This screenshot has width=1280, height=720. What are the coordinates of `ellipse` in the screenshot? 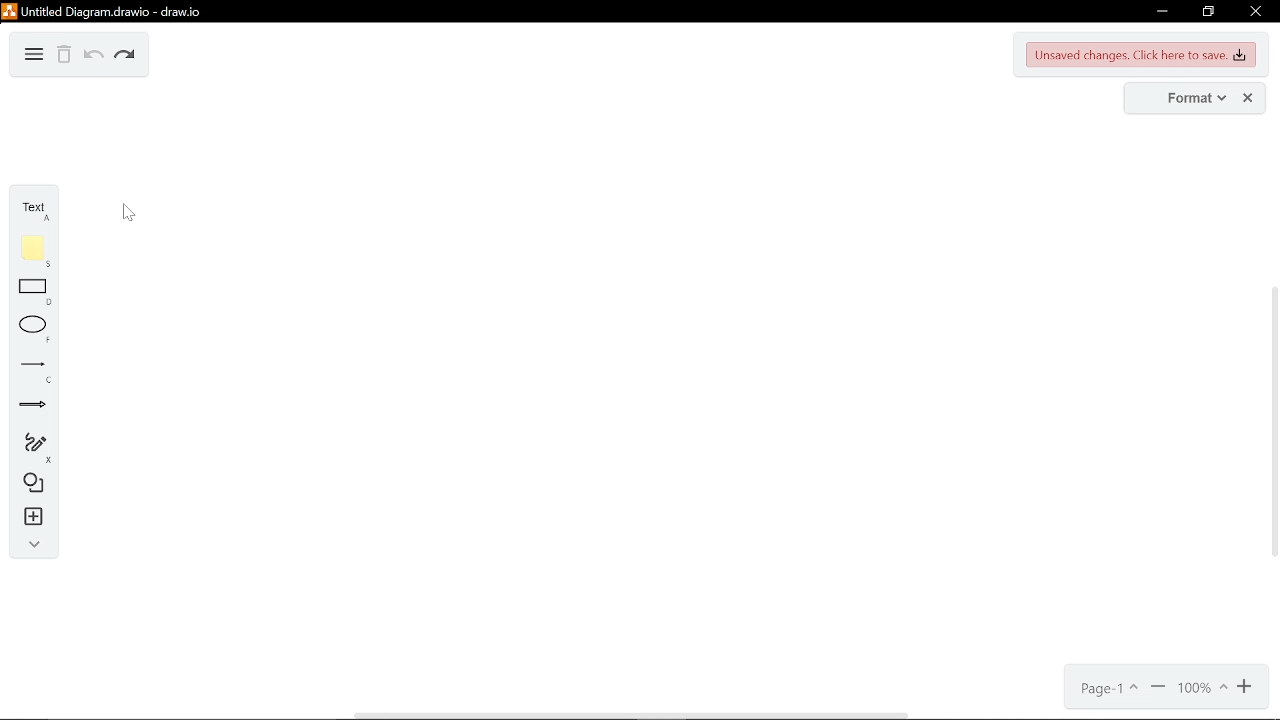 It's located at (37, 331).